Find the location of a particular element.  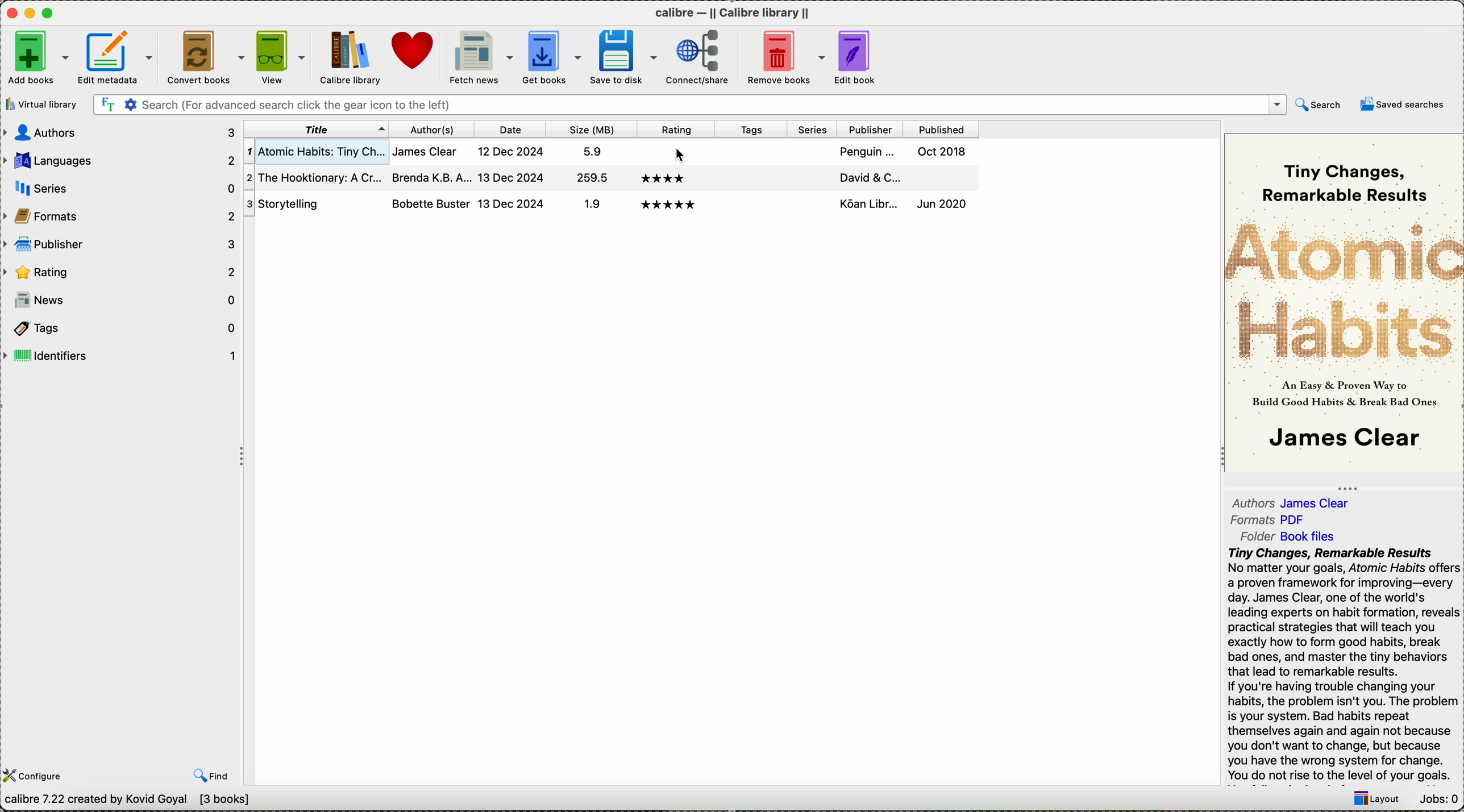

penguin ... is located at coordinates (868, 151).